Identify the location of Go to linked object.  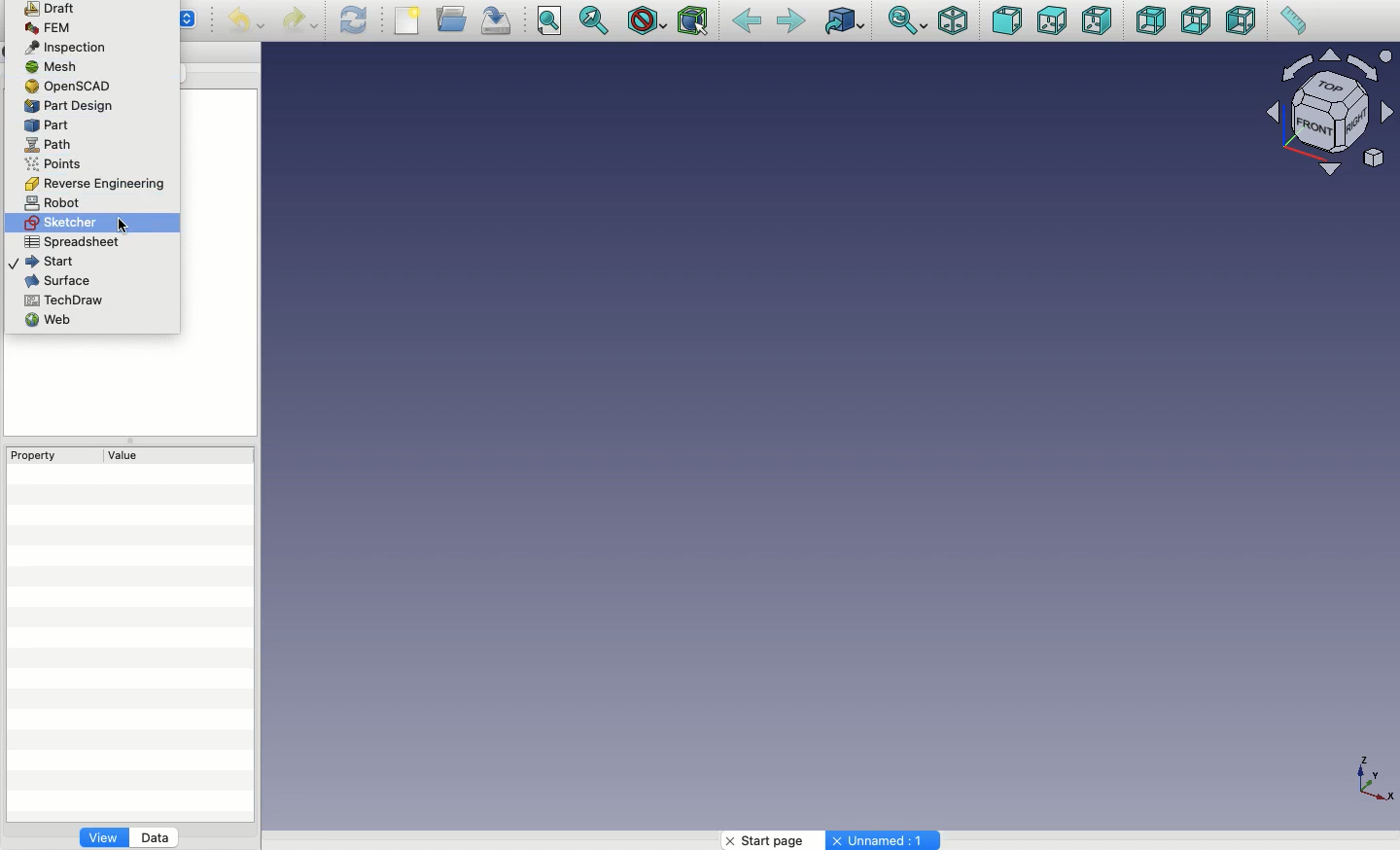
(844, 20).